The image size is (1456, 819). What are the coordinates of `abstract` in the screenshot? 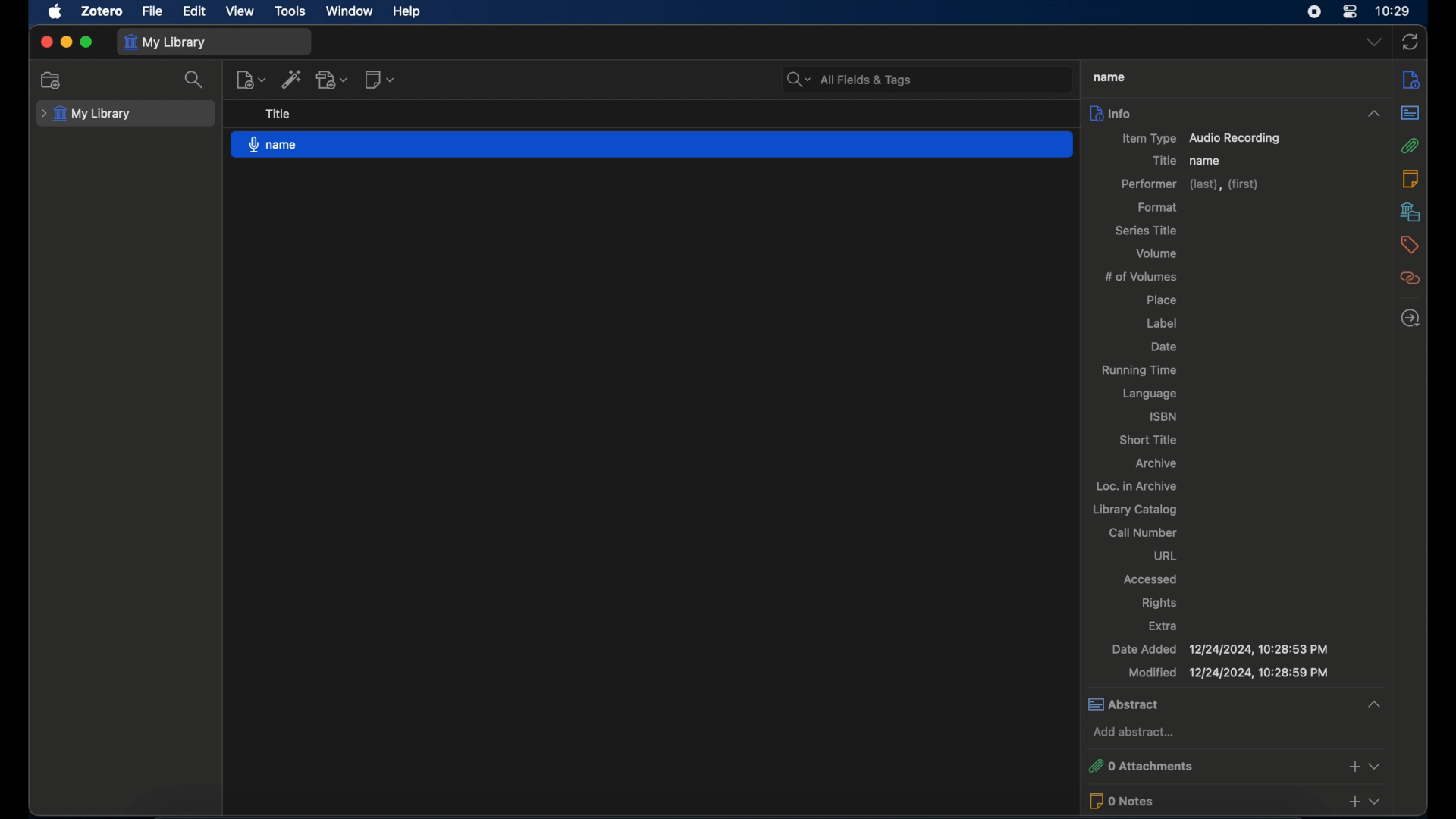 It's located at (1235, 704).